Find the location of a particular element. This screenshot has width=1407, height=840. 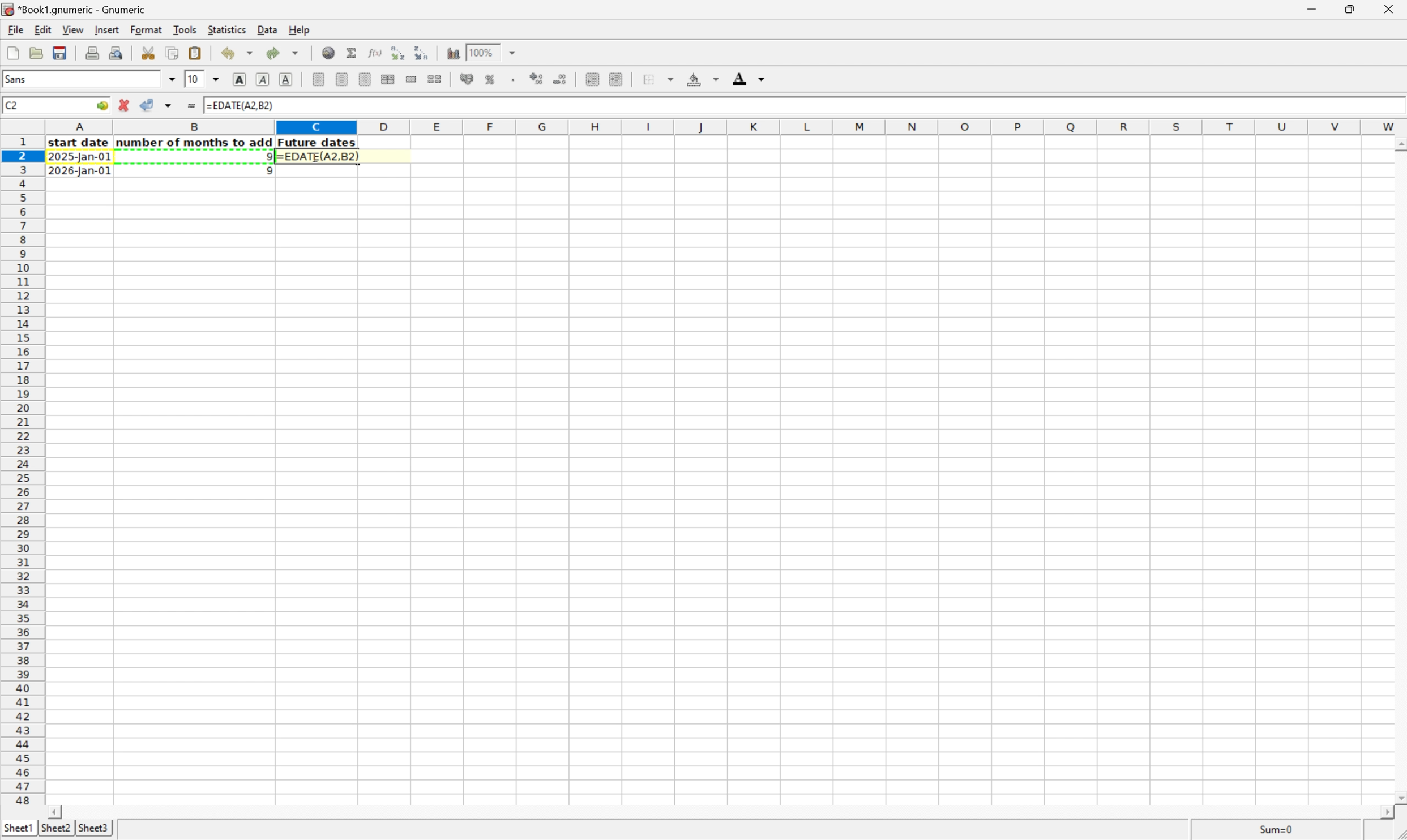

Minimize is located at coordinates (1310, 7).